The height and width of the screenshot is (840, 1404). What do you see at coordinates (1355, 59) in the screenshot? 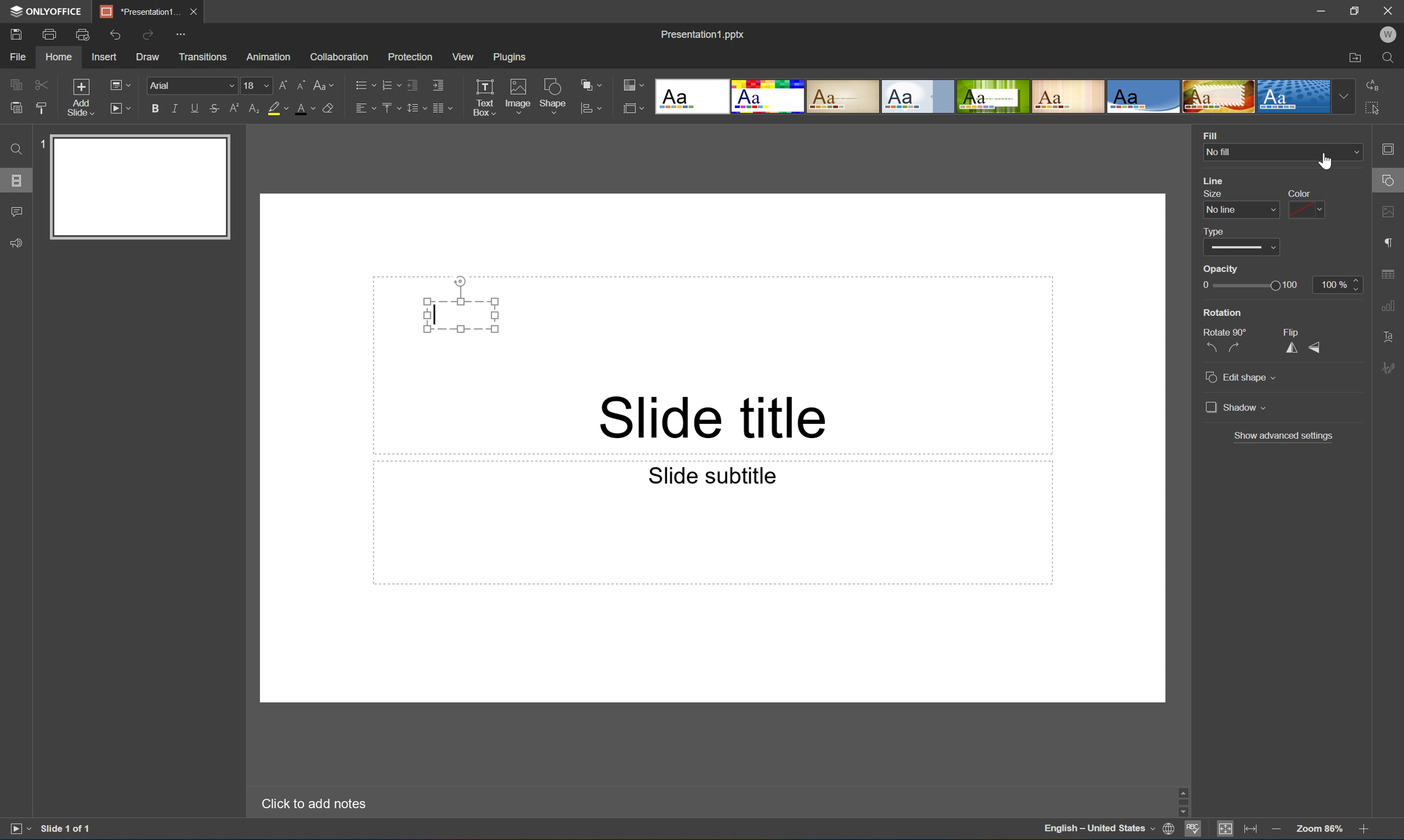
I see `Open file location` at bounding box center [1355, 59].